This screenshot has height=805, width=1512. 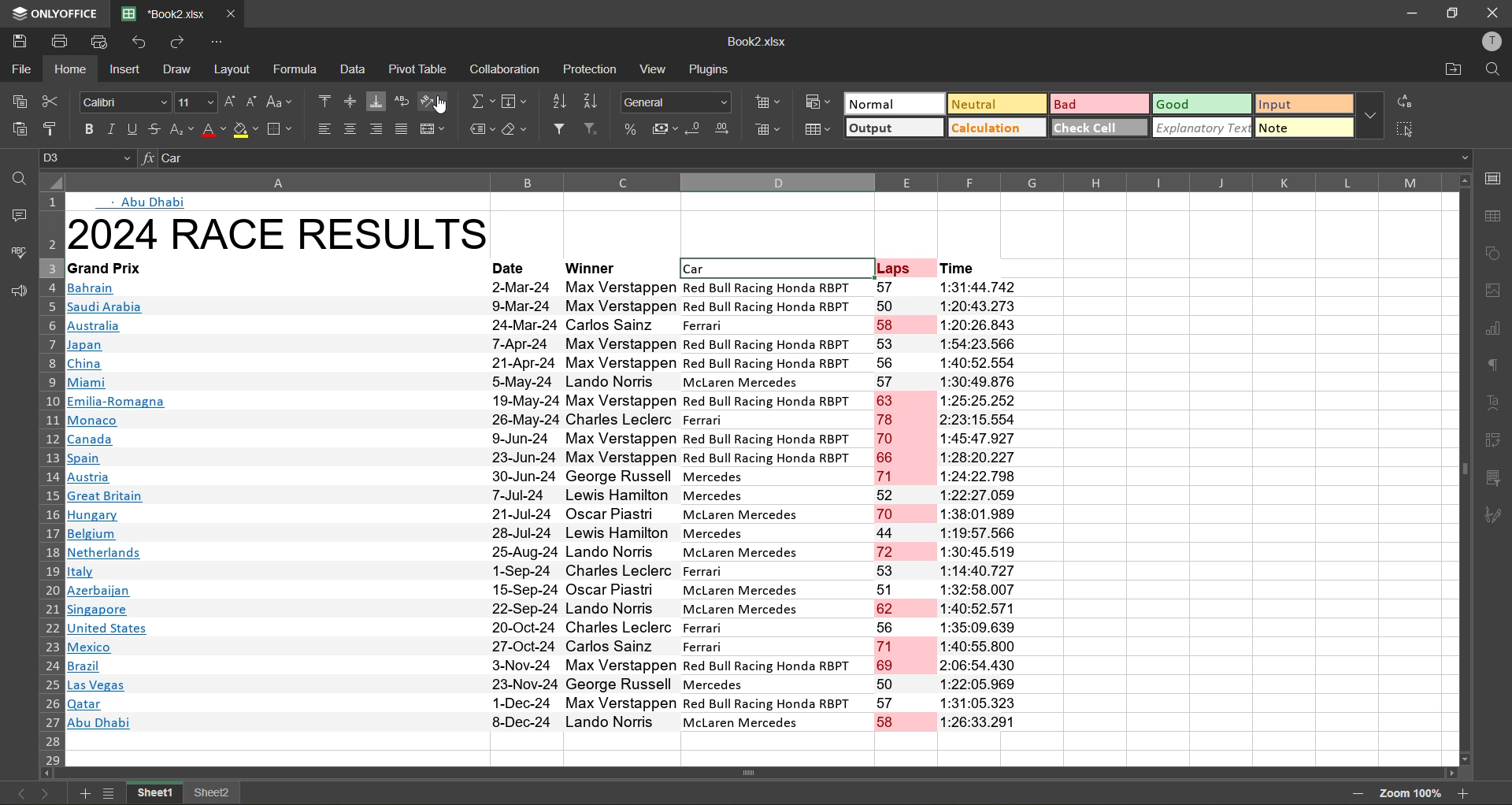 I want to click on summation, so click(x=480, y=103).